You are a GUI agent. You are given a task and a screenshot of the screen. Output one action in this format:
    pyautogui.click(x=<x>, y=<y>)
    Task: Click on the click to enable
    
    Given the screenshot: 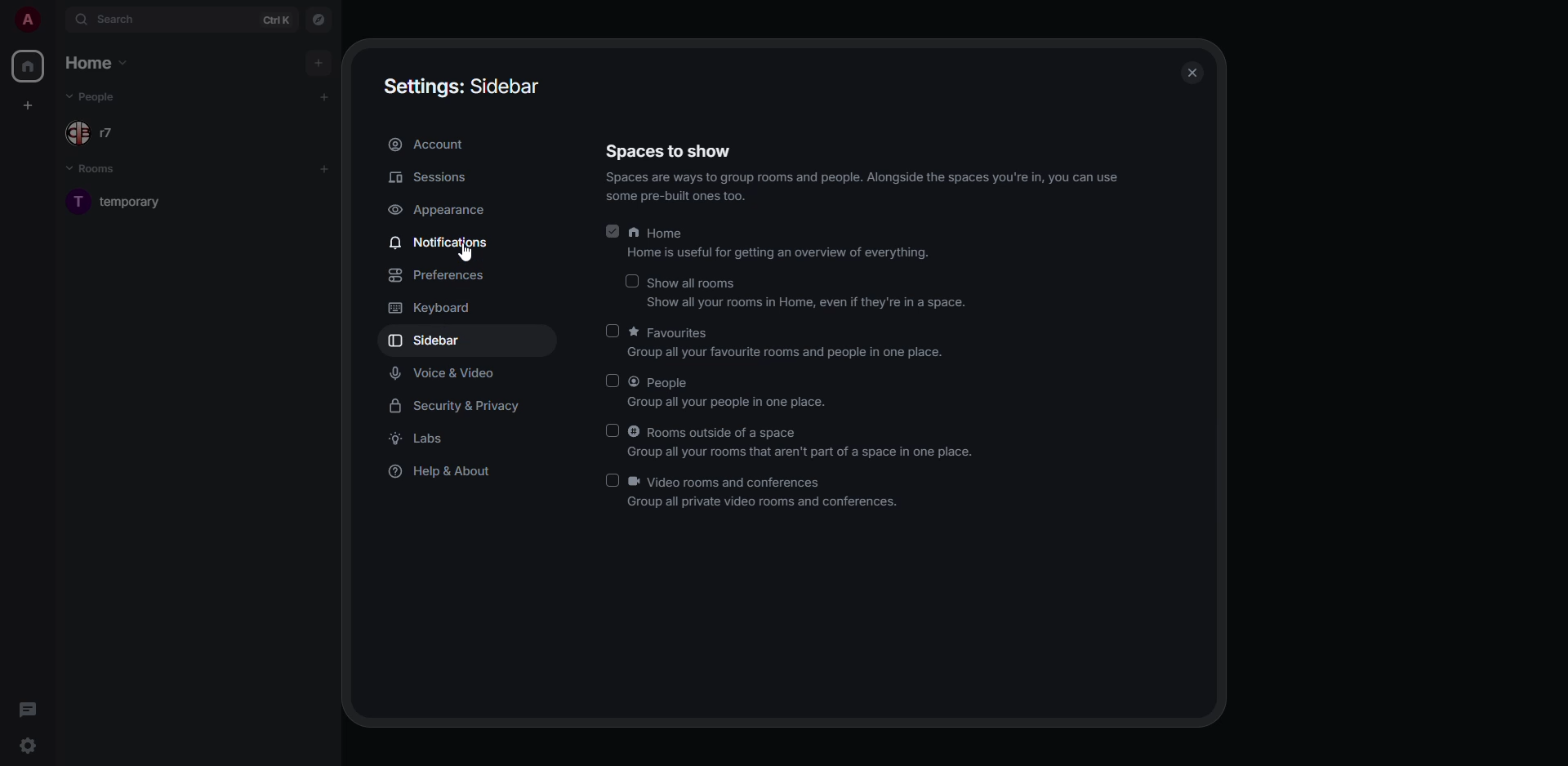 What is the action you would take?
    pyautogui.click(x=610, y=330)
    